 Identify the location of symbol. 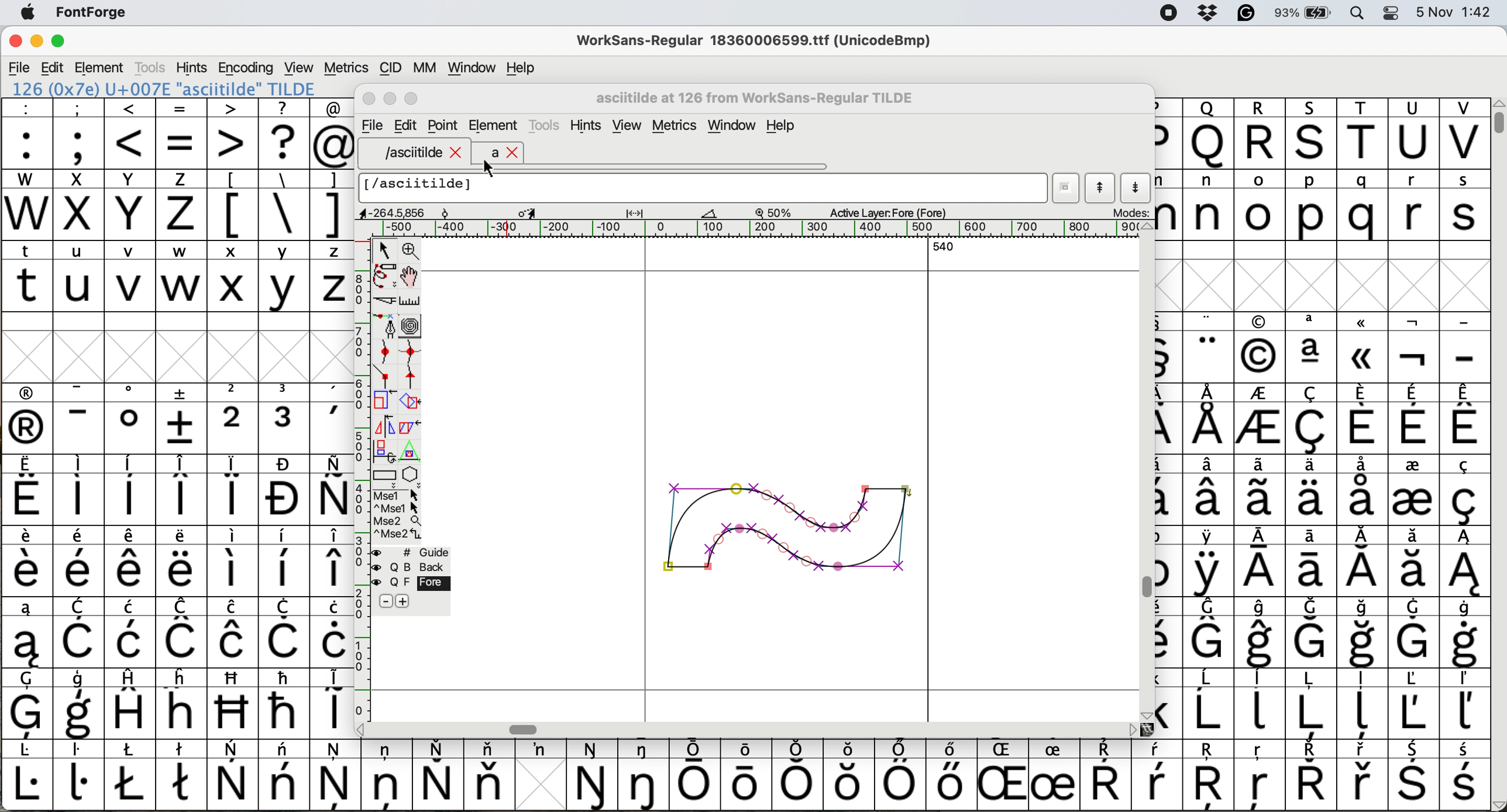
(130, 775).